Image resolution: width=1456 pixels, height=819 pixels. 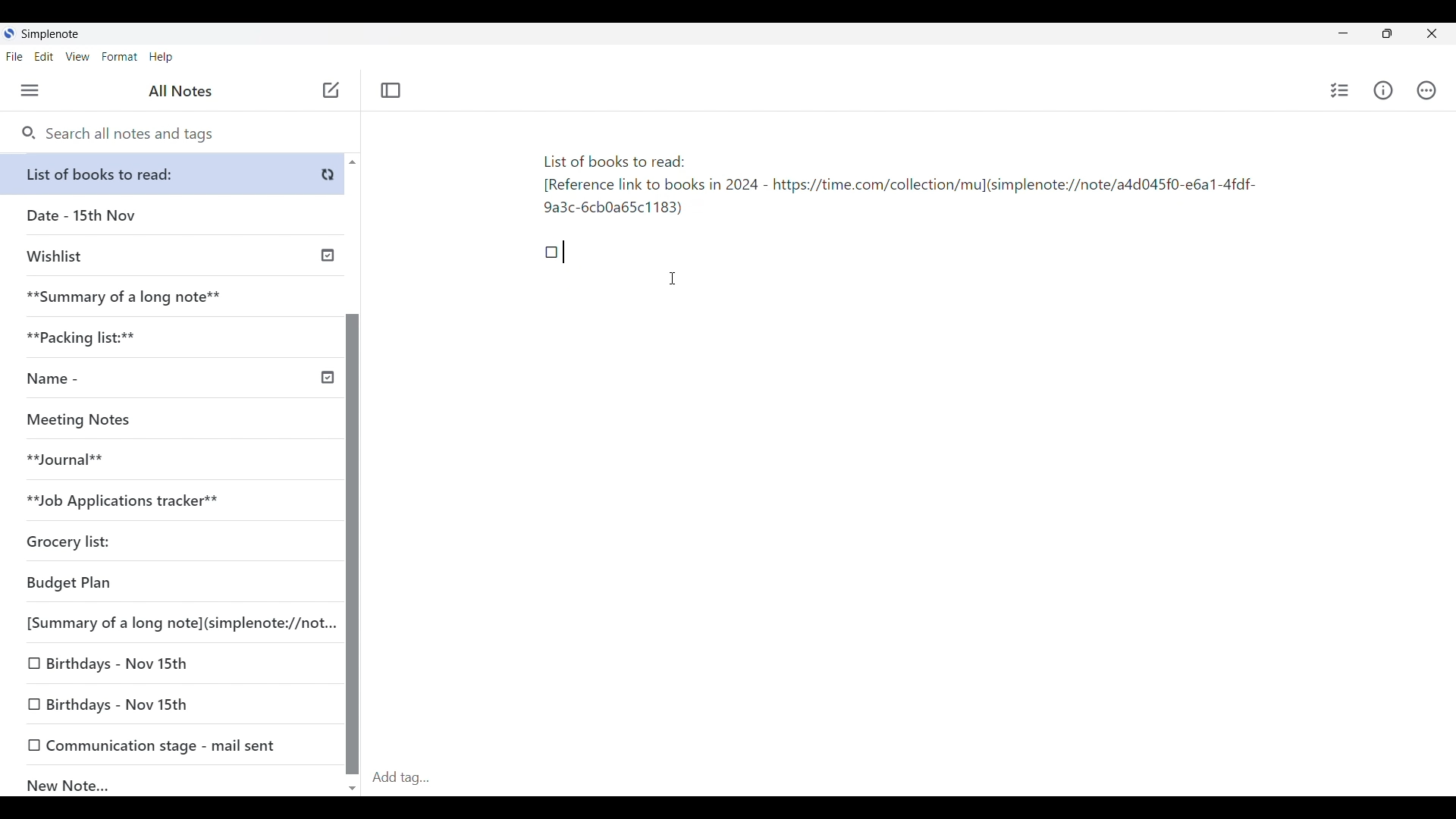 I want to click on Budget Plan, so click(x=170, y=584).